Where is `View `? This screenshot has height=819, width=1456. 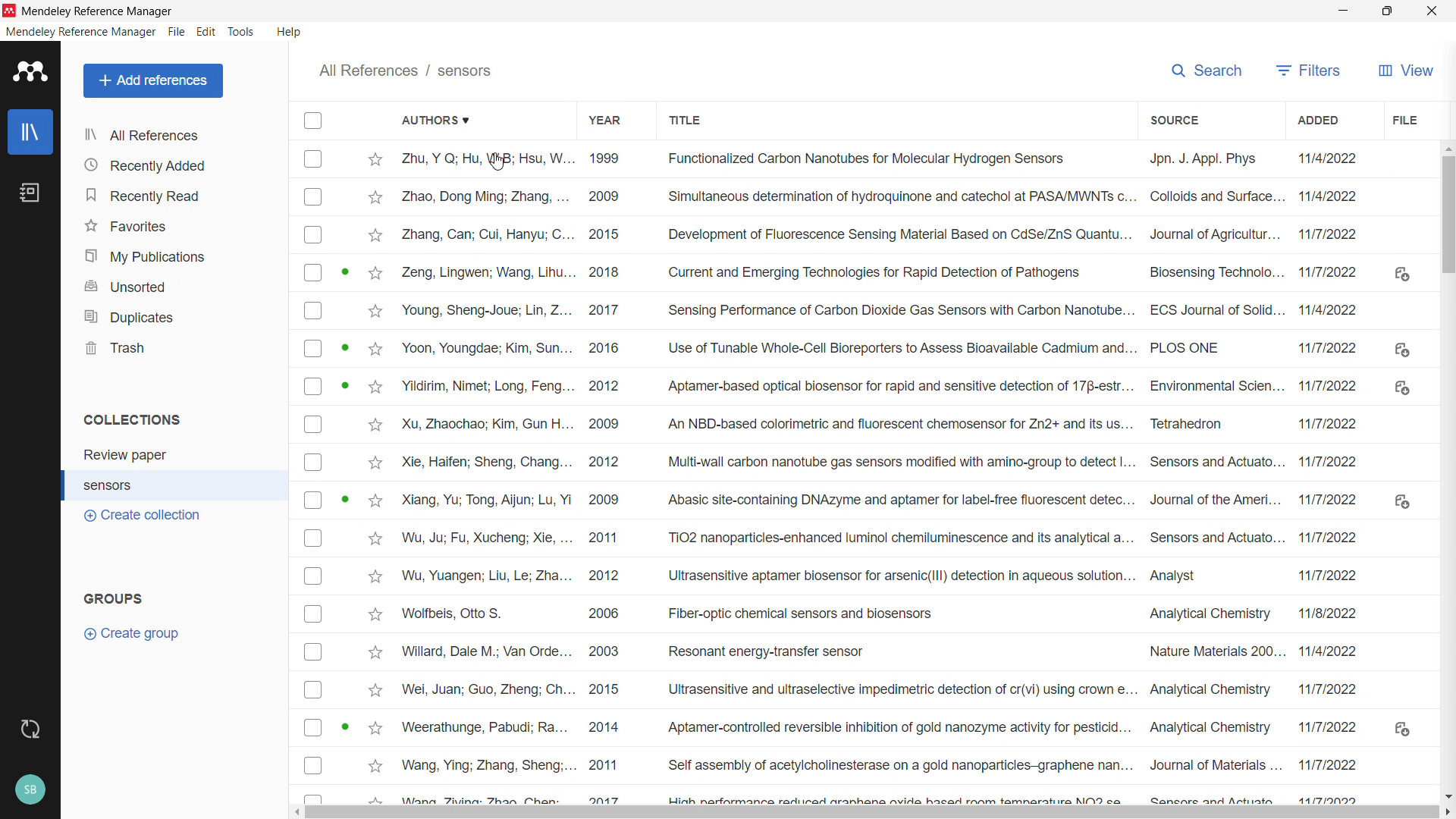
View  is located at coordinates (1403, 70).